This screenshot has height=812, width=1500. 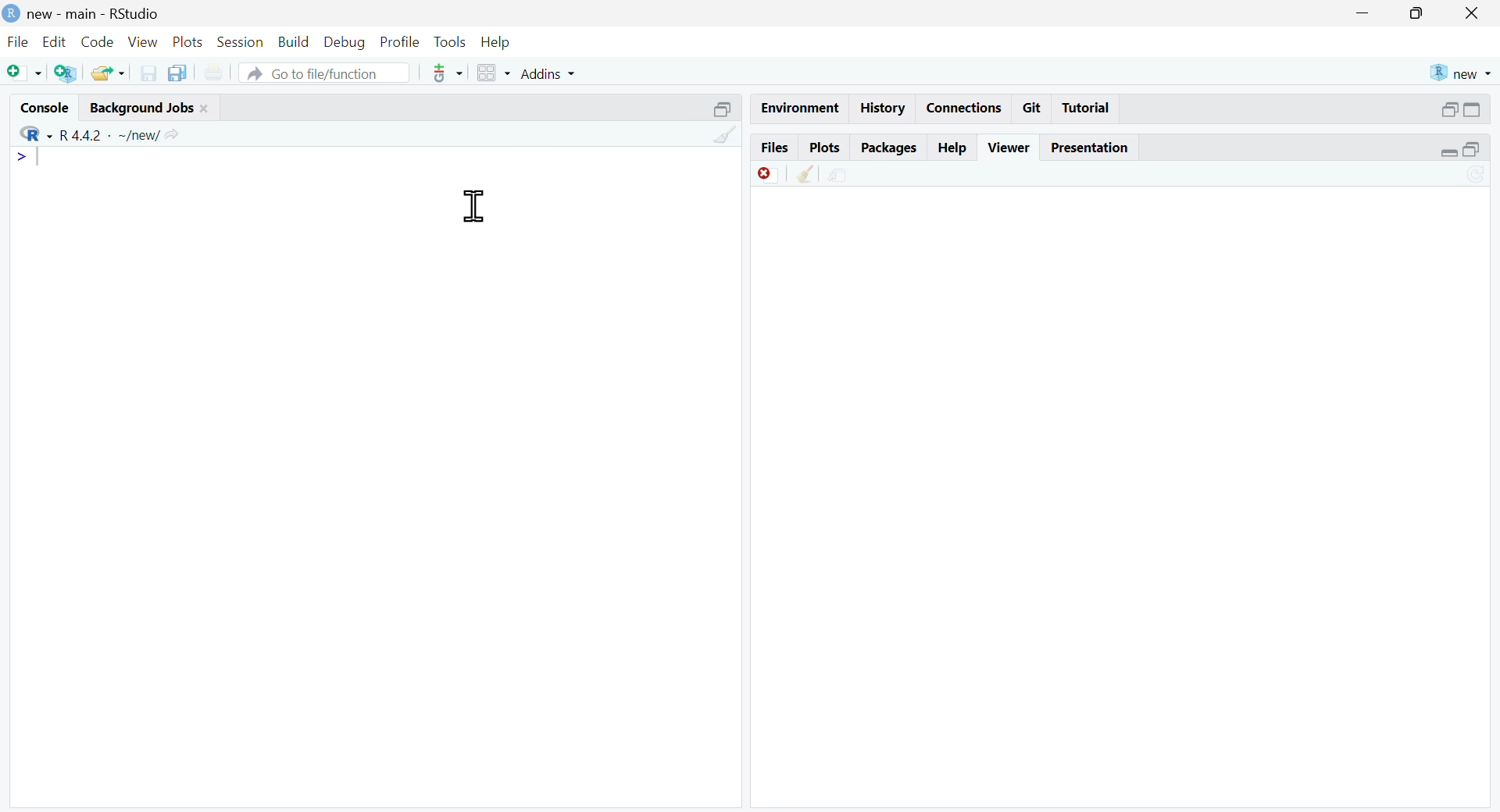 I want to click on help, so click(x=954, y=148).